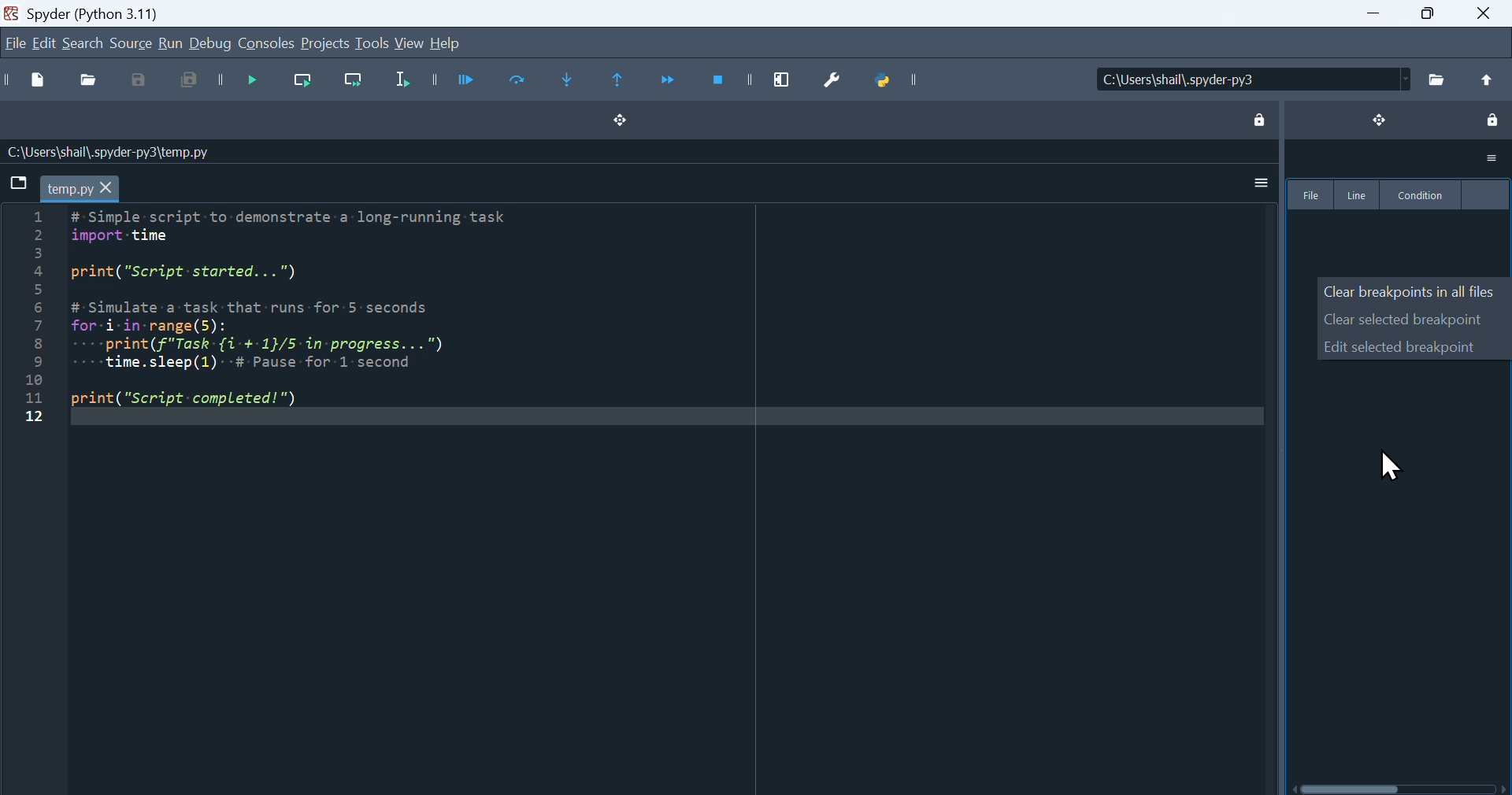  What do you see at coordinates (409, 81) in the screenshot?
I see `Run selection` at bounding box center [409, 81].